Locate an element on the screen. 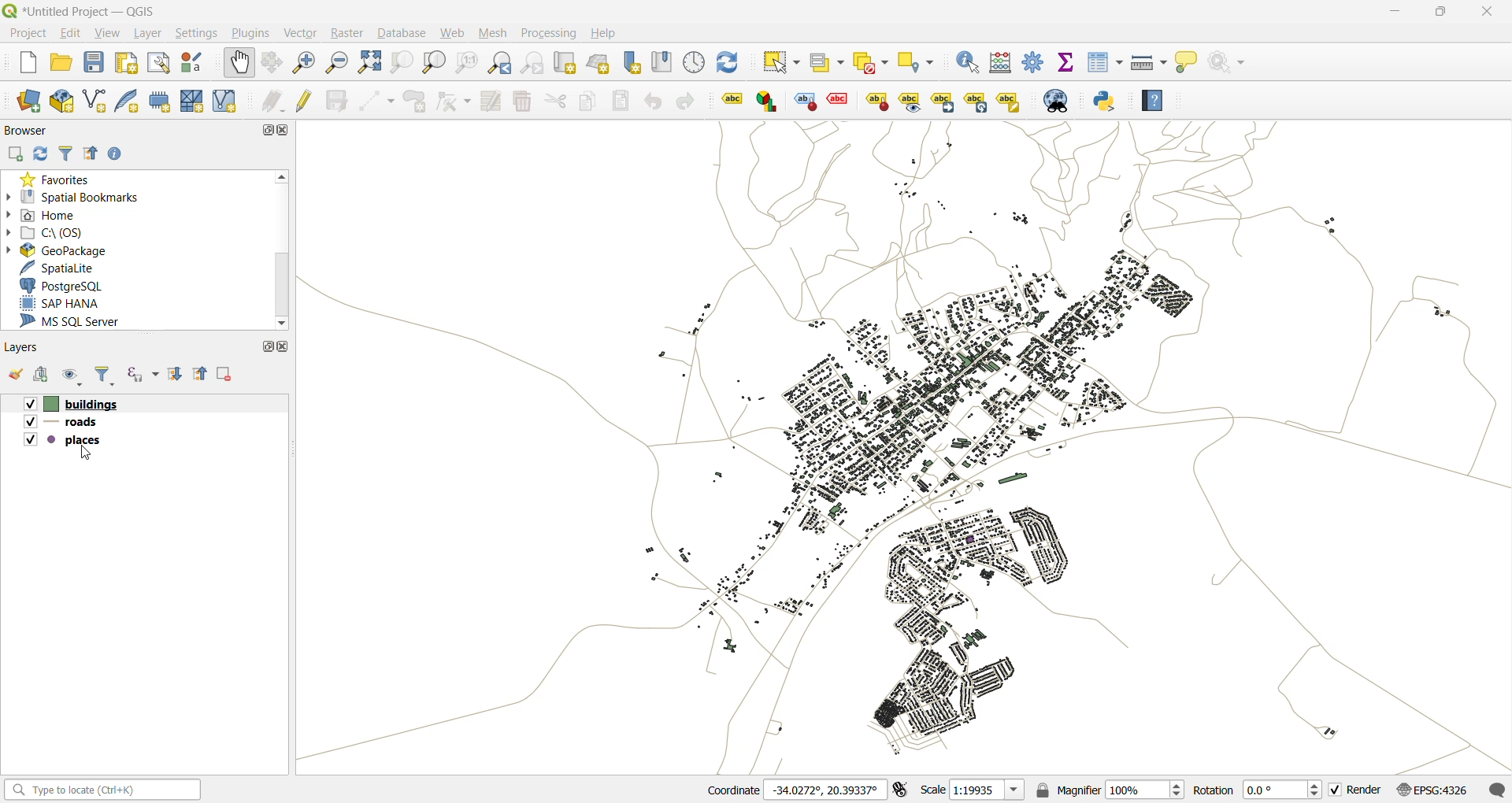 Image resolution: width=1512 pixels, height=803 pixels. enable properties is located at coordinates (119, 154).